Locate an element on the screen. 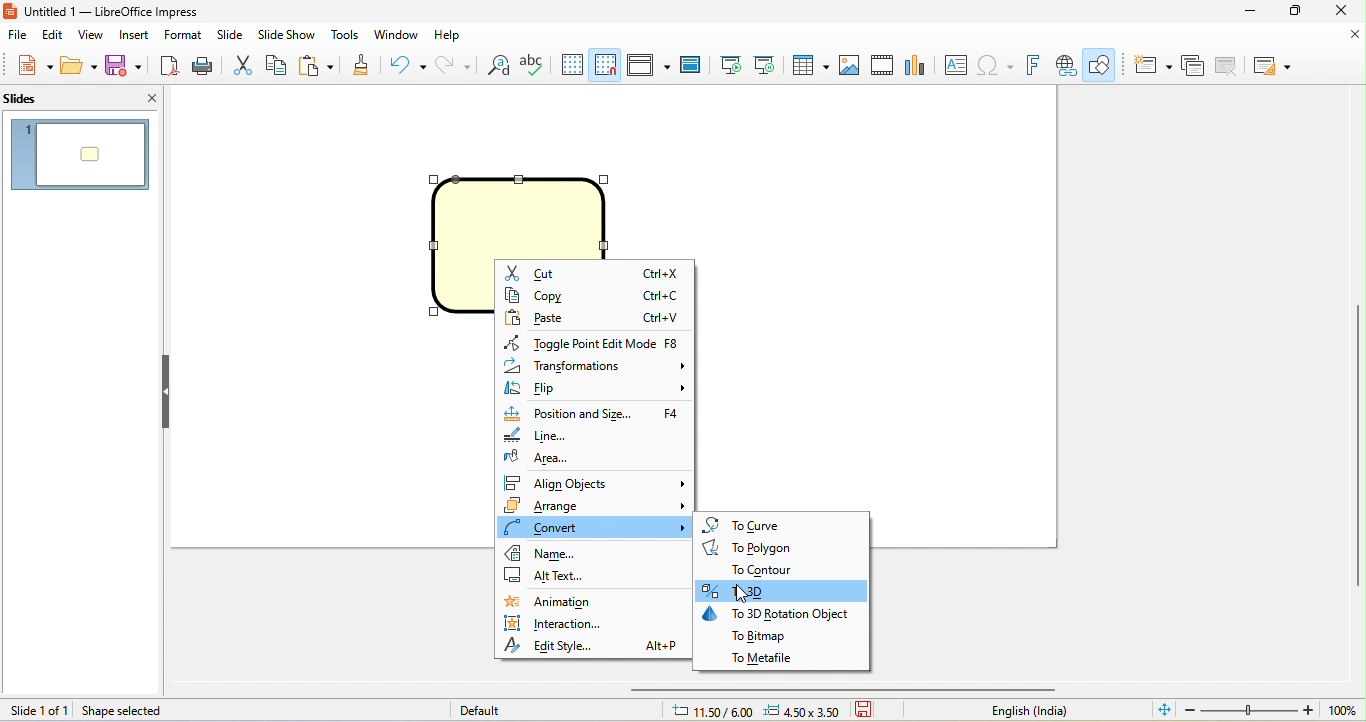 The image size is (1366, 722). close is located at coordinates (140, 97).